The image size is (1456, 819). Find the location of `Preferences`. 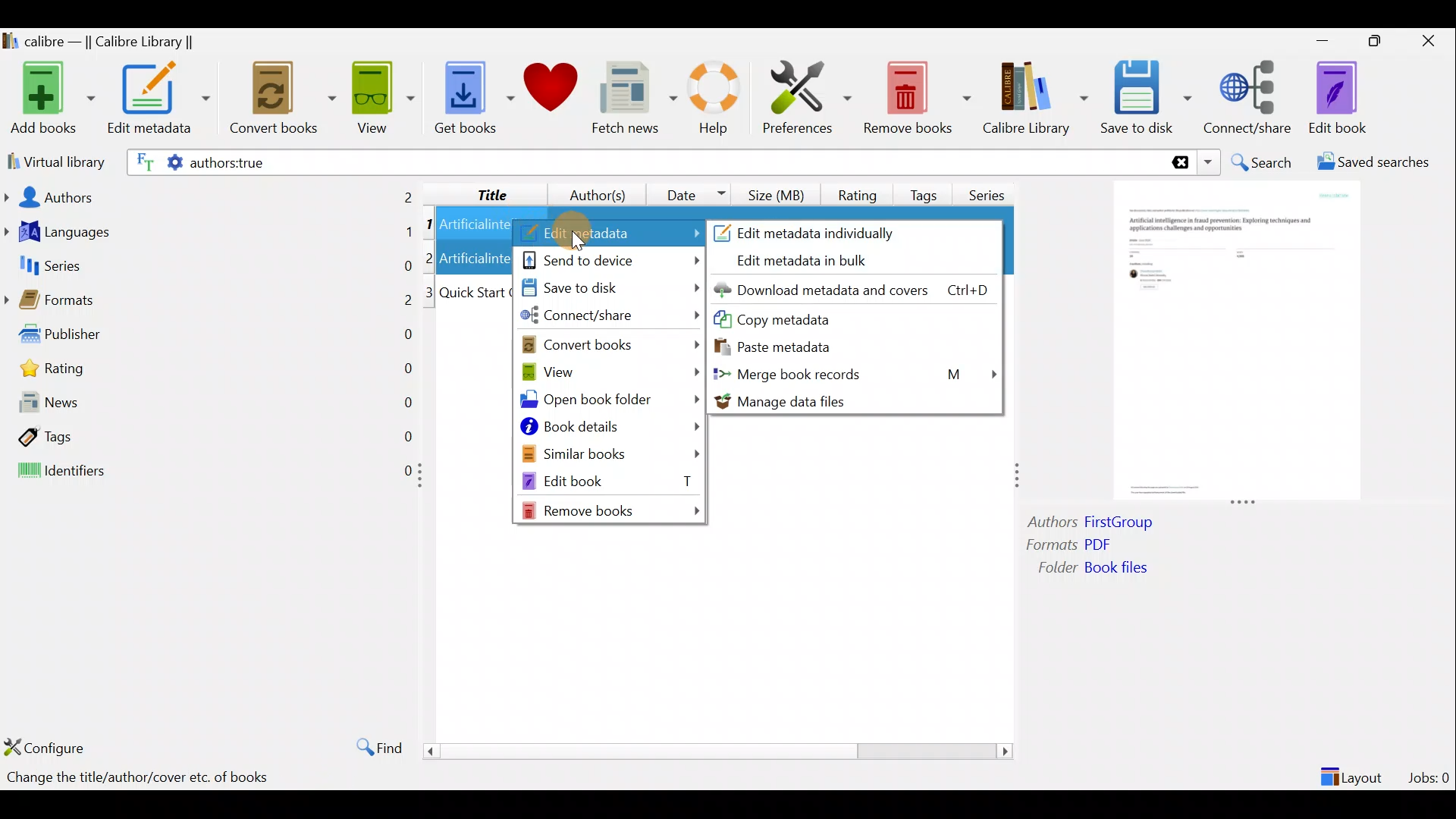

Preferences is located at coordinates (807, 96).